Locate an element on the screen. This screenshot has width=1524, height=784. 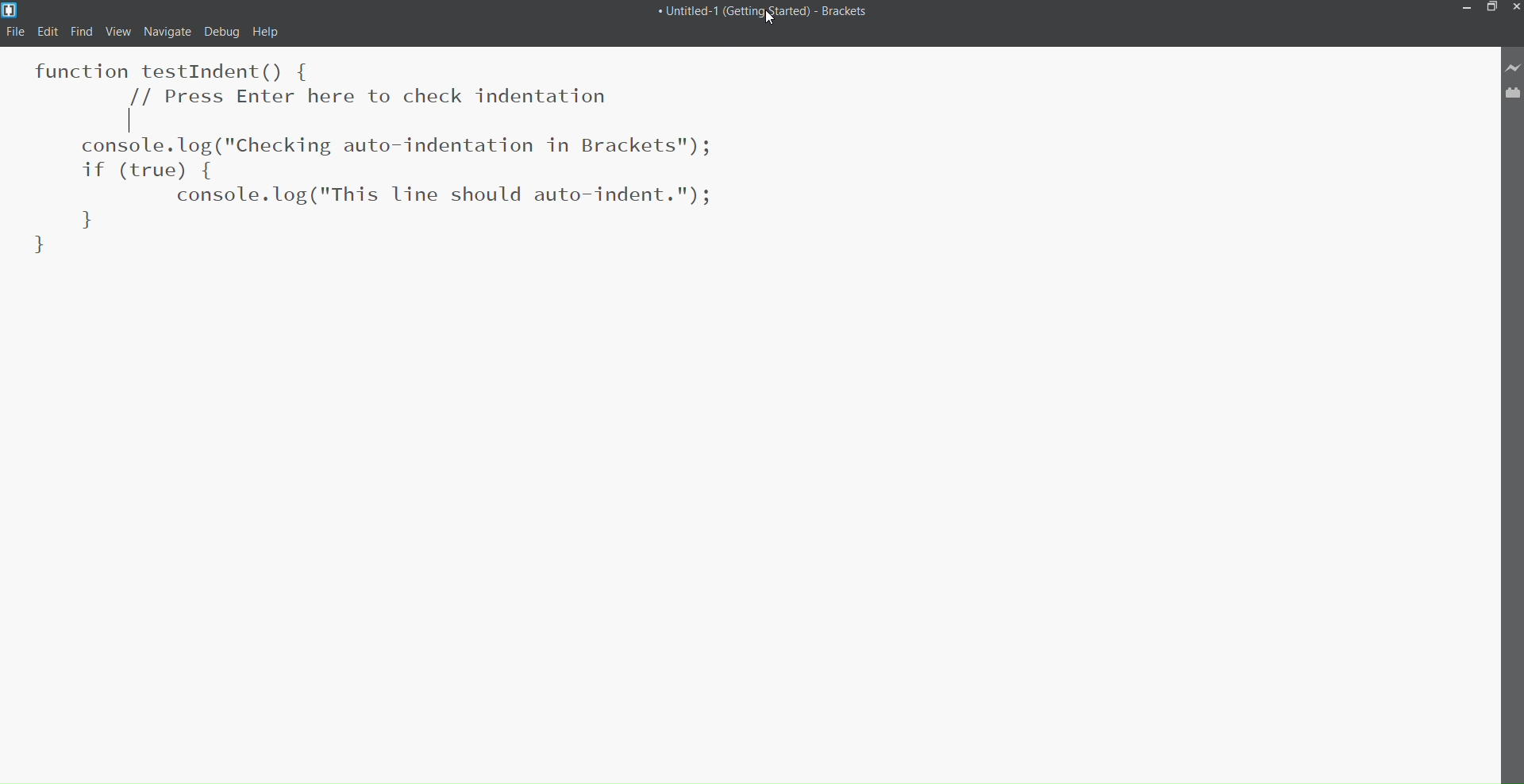
Minimize is located at coordinates (1464, 9).